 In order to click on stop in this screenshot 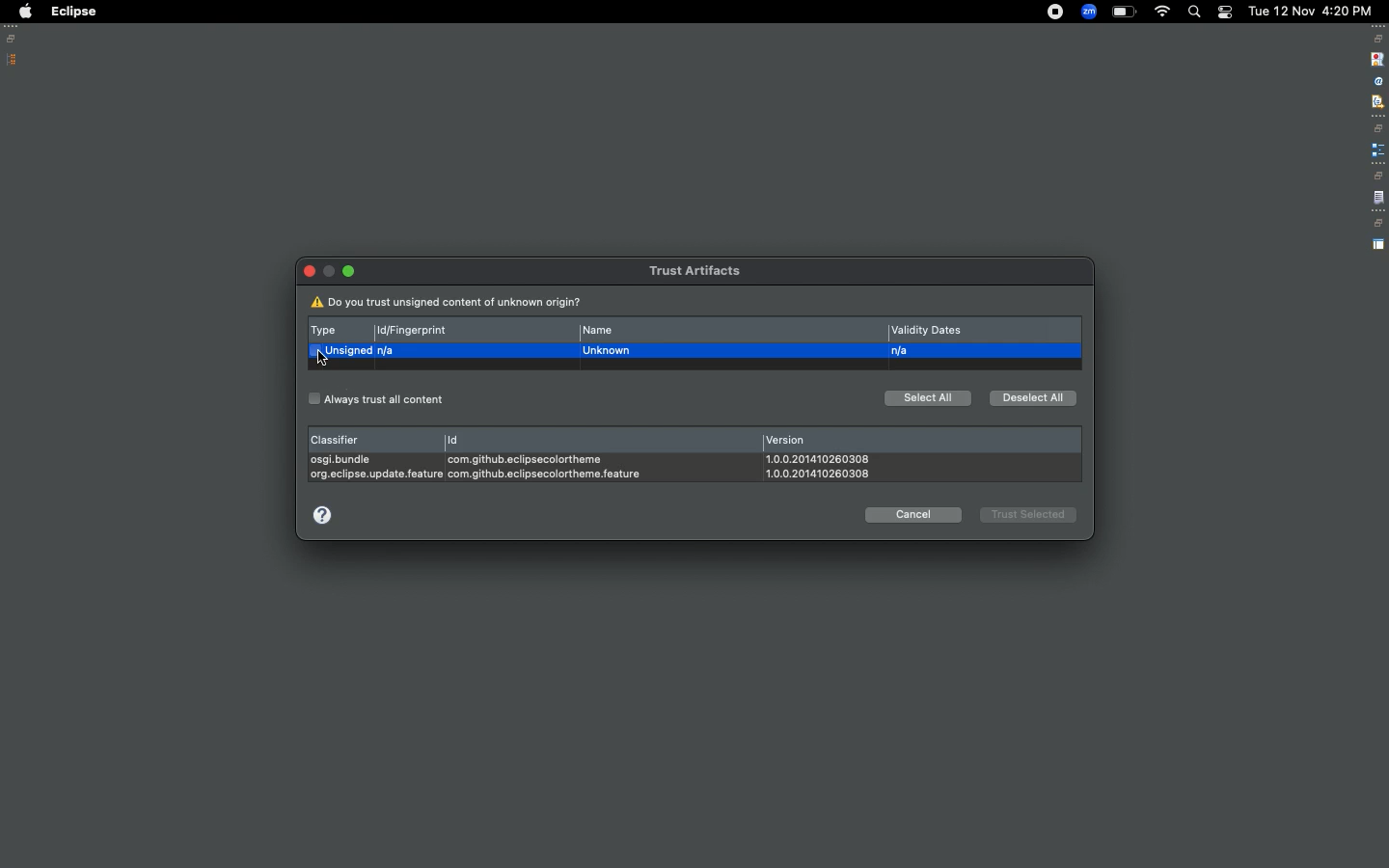, I will do `click(1375, 58)`.